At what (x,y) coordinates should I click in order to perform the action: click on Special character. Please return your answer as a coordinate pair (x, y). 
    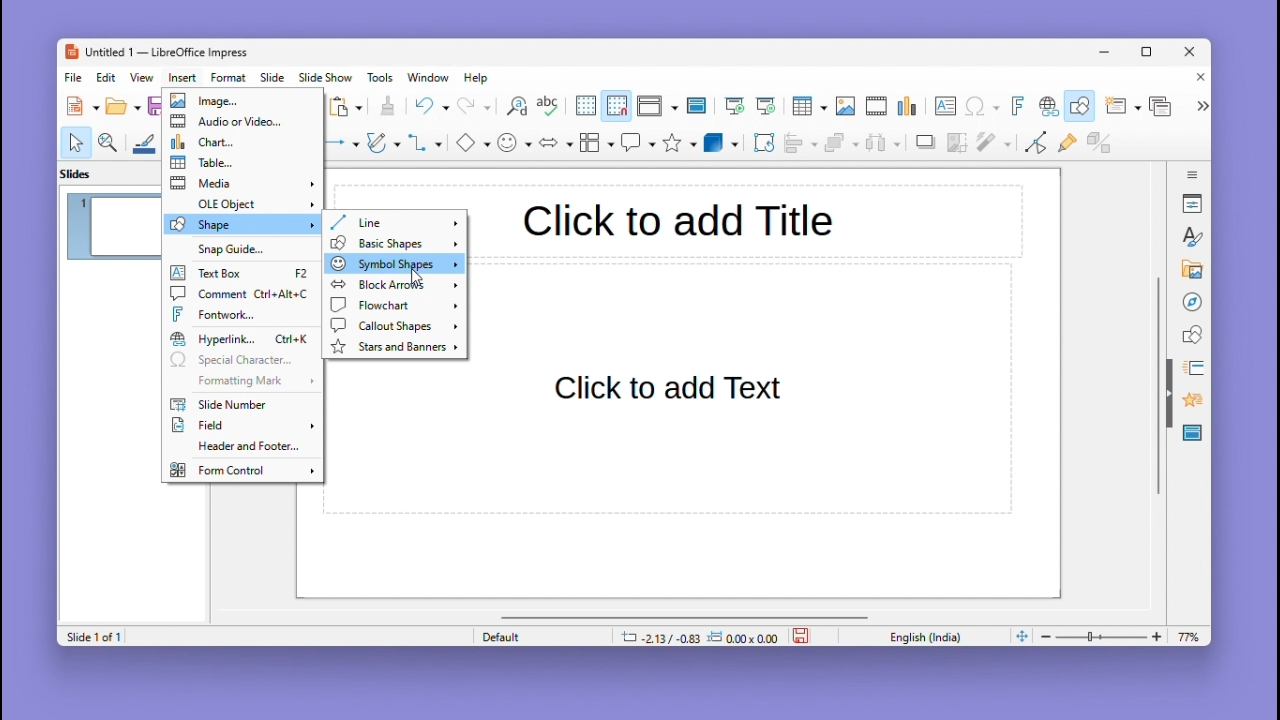
    Looking at the image, I should click on (983, 108).